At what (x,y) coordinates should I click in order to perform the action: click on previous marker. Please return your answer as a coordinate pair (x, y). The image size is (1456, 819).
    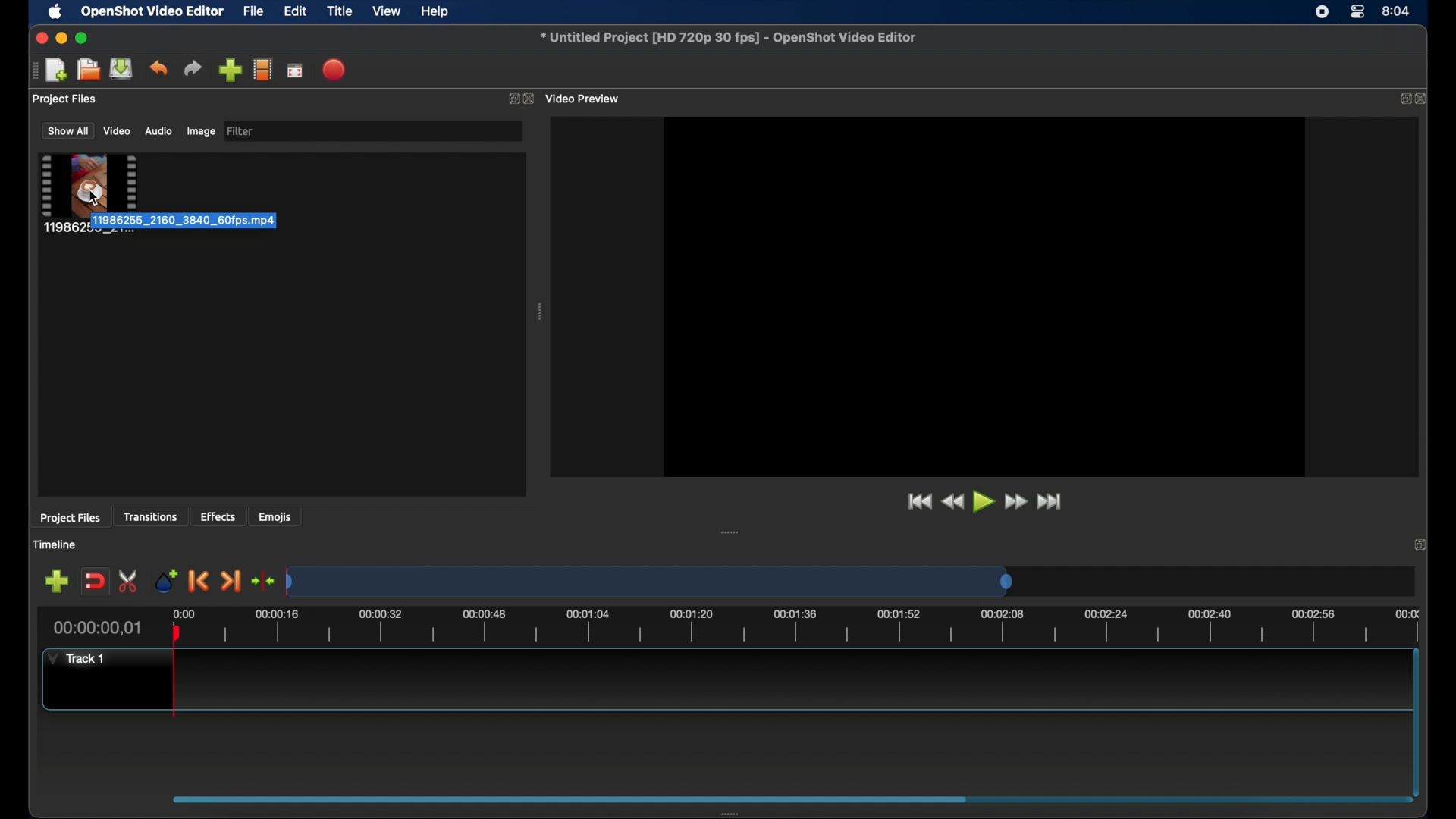
    Looking at the image, I should click on (199, 582).